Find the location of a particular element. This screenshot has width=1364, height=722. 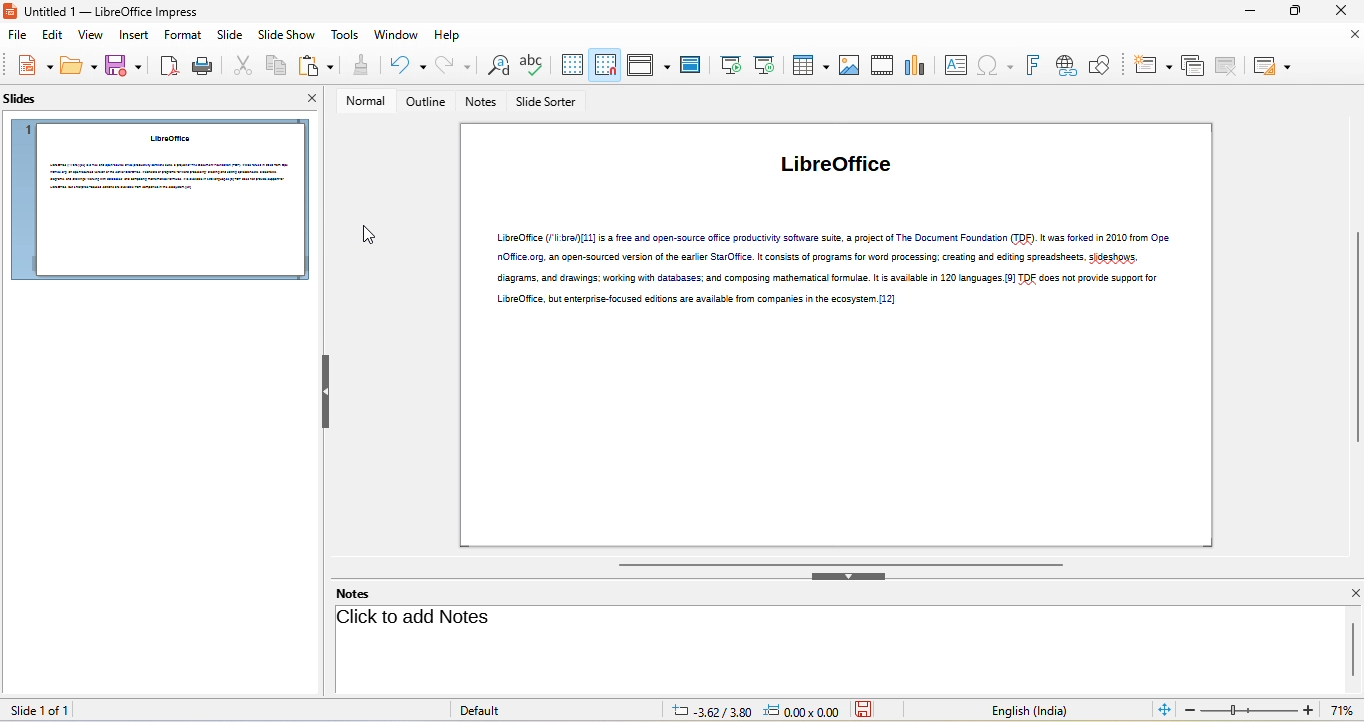

-3.62/3.80 is located at coordinates (706, 710).